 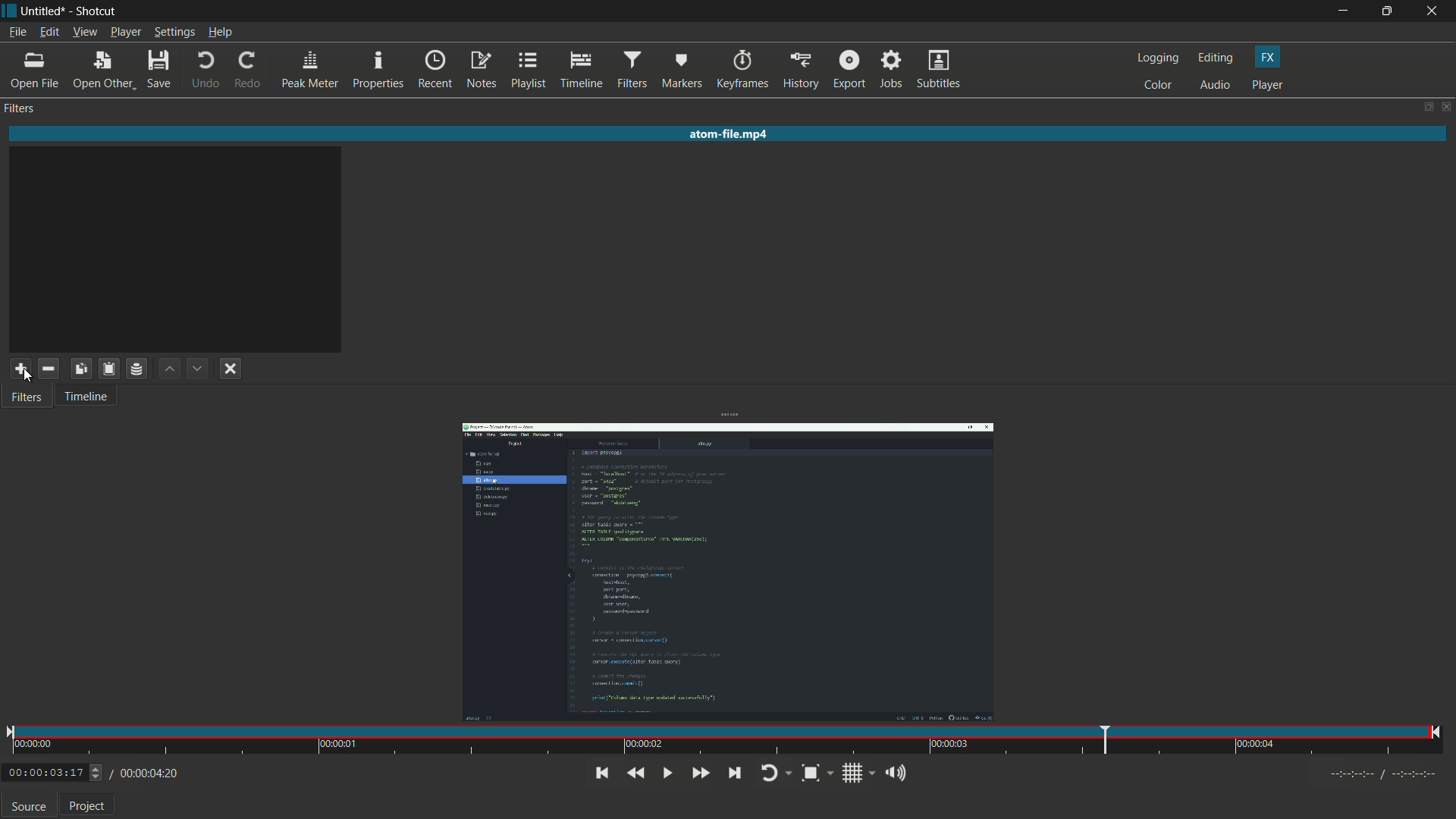 What do you see at coordinates (146, 771) in the screenshot?
I see `/00:00:04:20(total time)` at bounding box center [146, 771].